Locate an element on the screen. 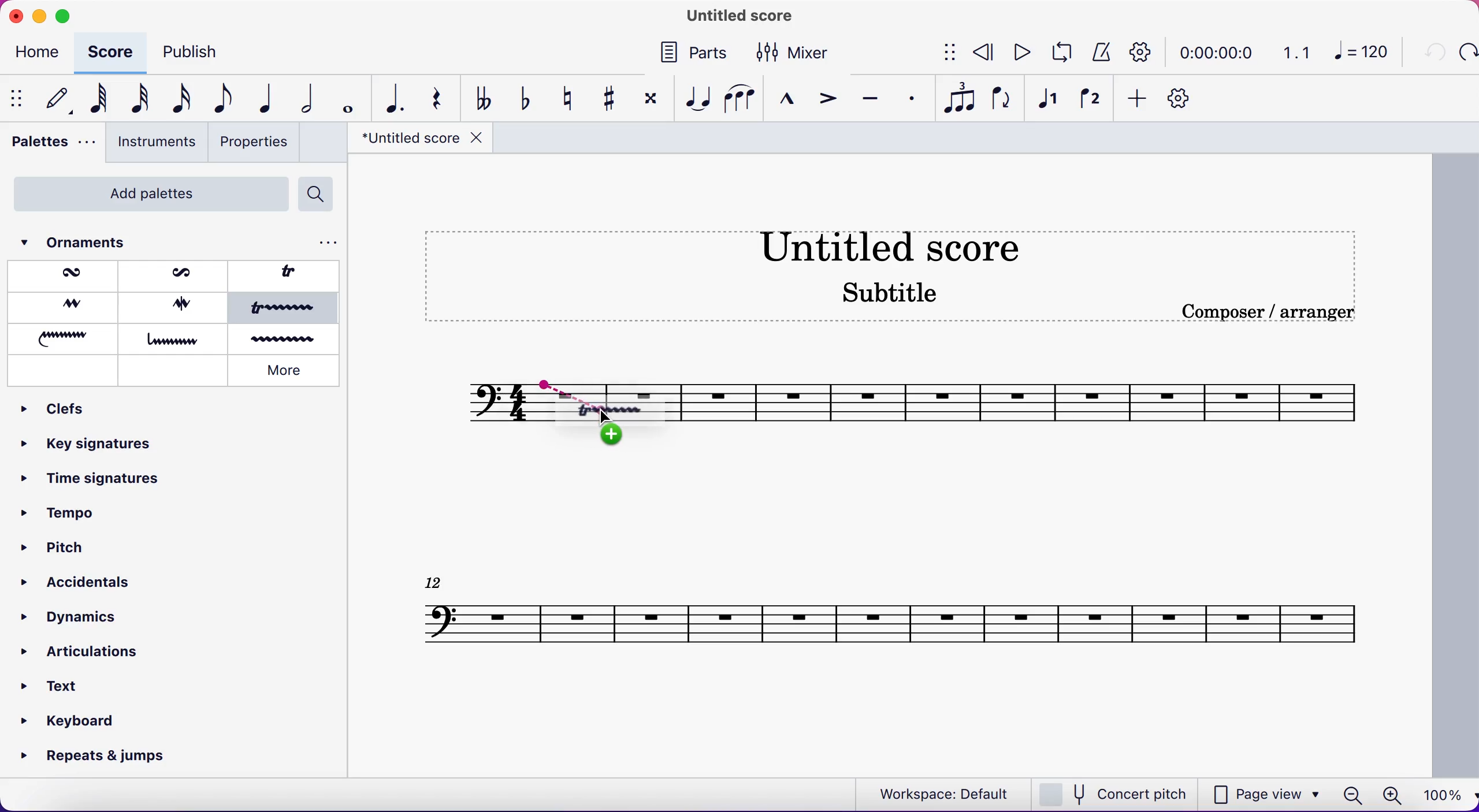 The height and width of the screenshot is (812, 1479). toggle double flat is located at coordinates (484, 98).